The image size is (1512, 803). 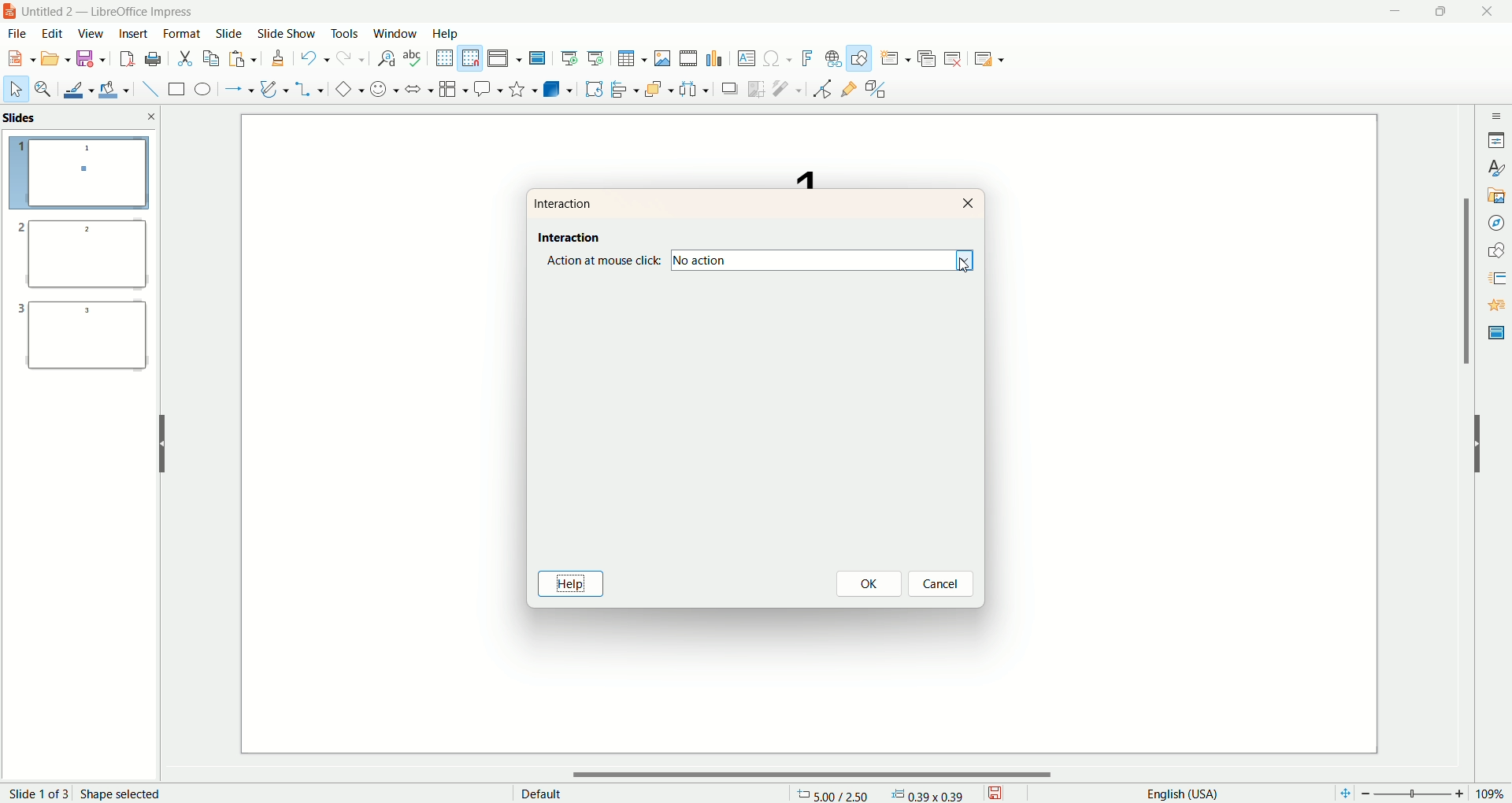 What do you see at coordinates (415, 88) in the screenshot?
I see `block arrow` at bounding box center [415, 88].